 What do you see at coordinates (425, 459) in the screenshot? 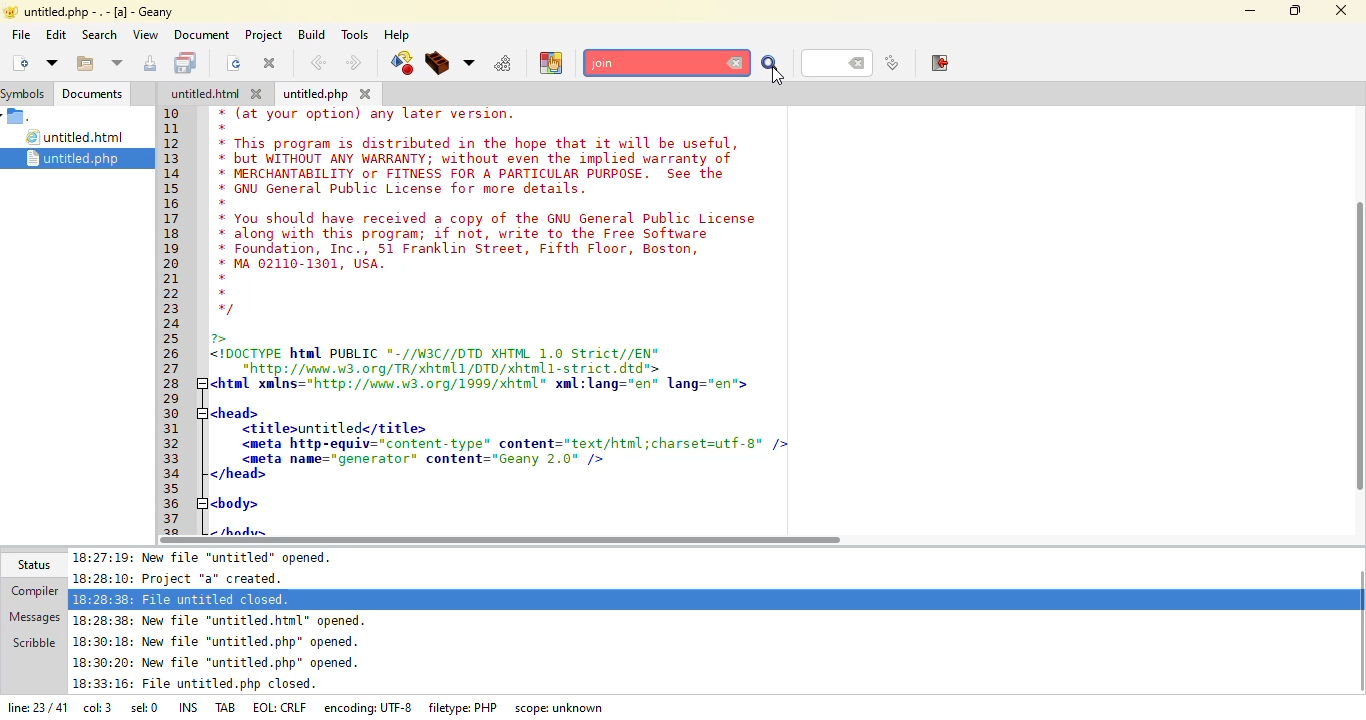
I see `<meta name="generator" content="Geany 2.0" />` at bounding box center [425, 459].